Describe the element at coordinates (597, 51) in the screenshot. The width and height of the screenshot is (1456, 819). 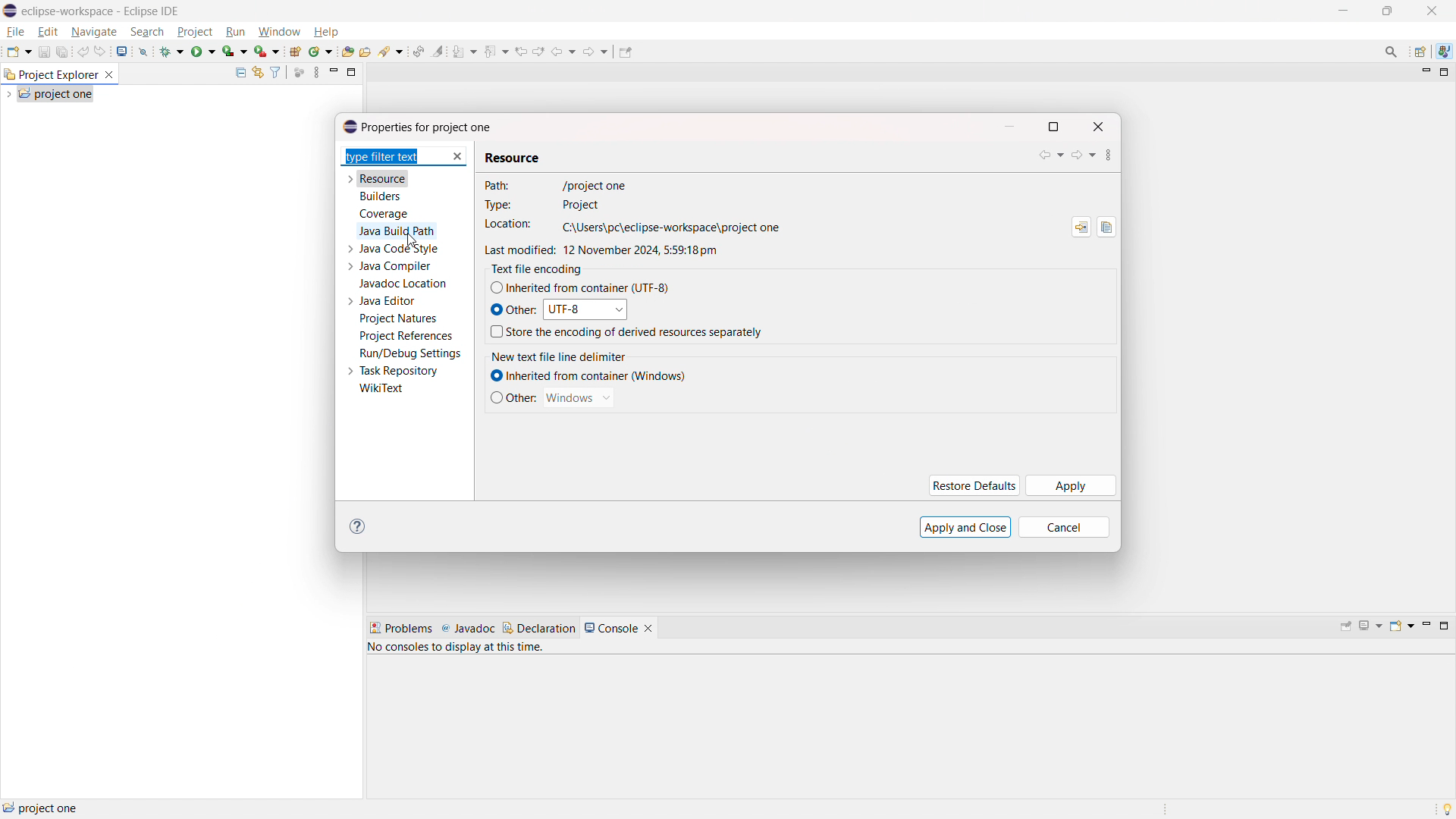
I see `forward` at that location.